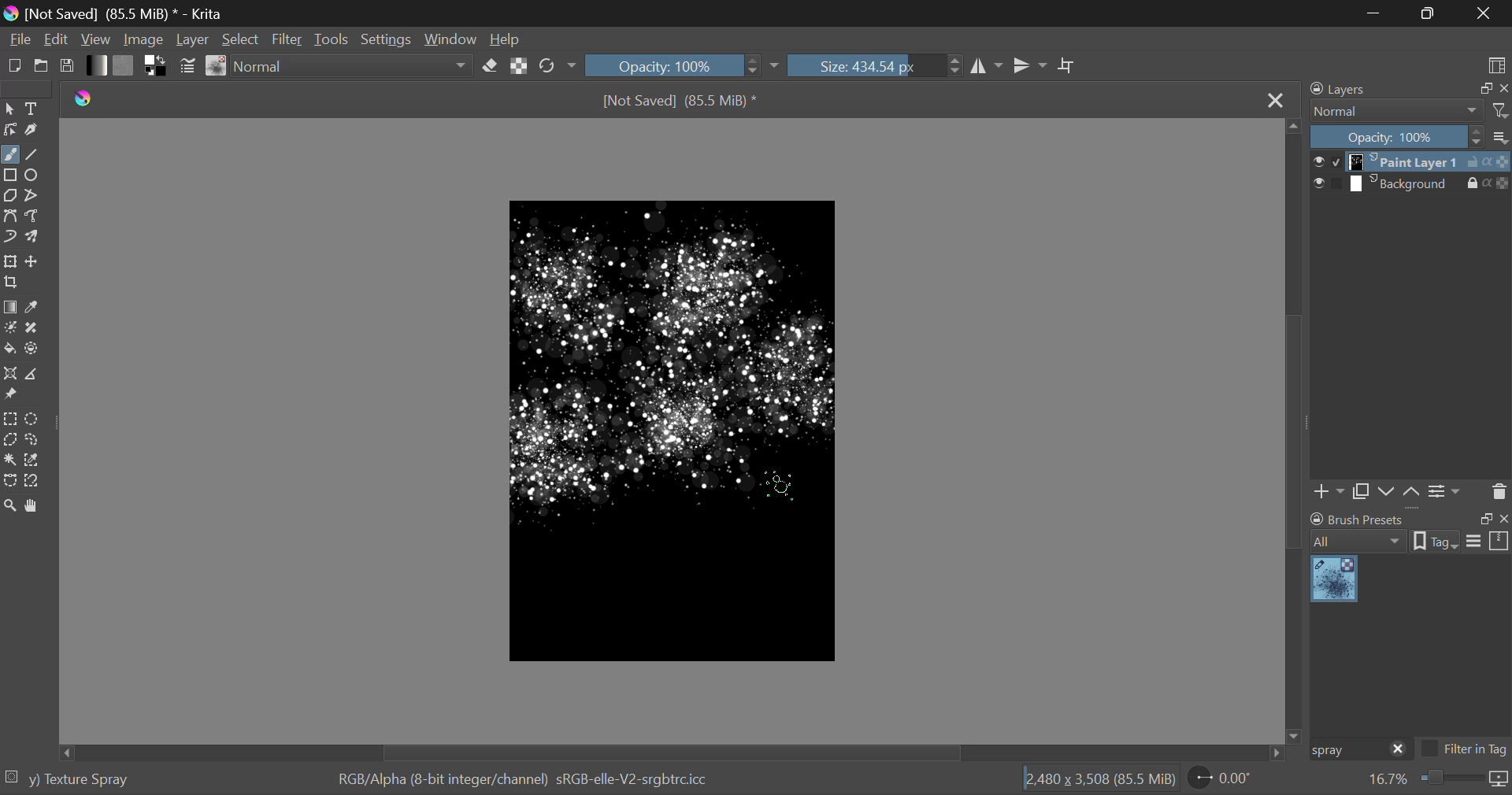 This screenshot has width=1512, height=795. What do you see at coordinates (1275, 102) in the screenshot?
I see `Close` at bounding box center [1275, 102].